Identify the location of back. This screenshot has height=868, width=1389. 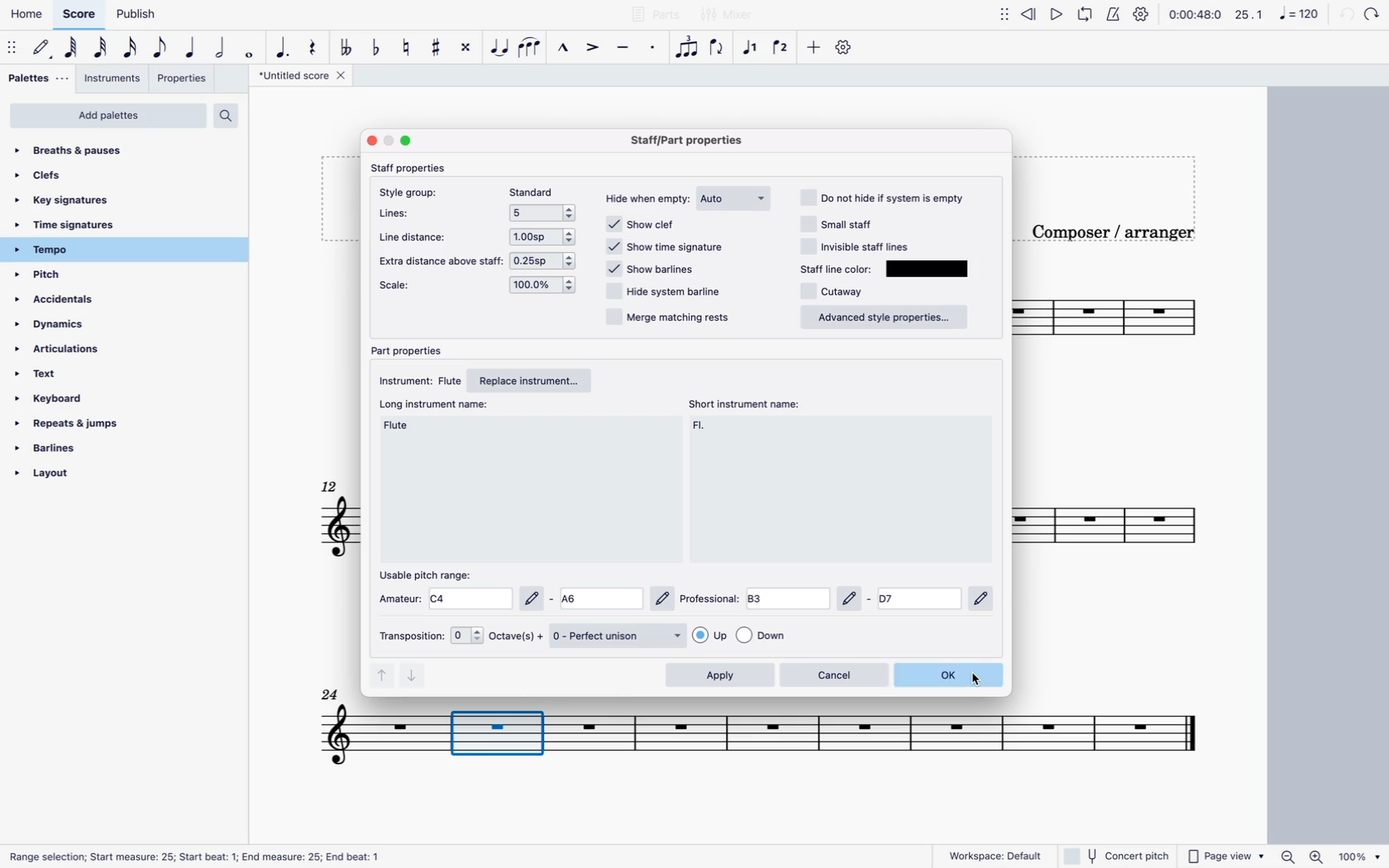
(1344, 14).